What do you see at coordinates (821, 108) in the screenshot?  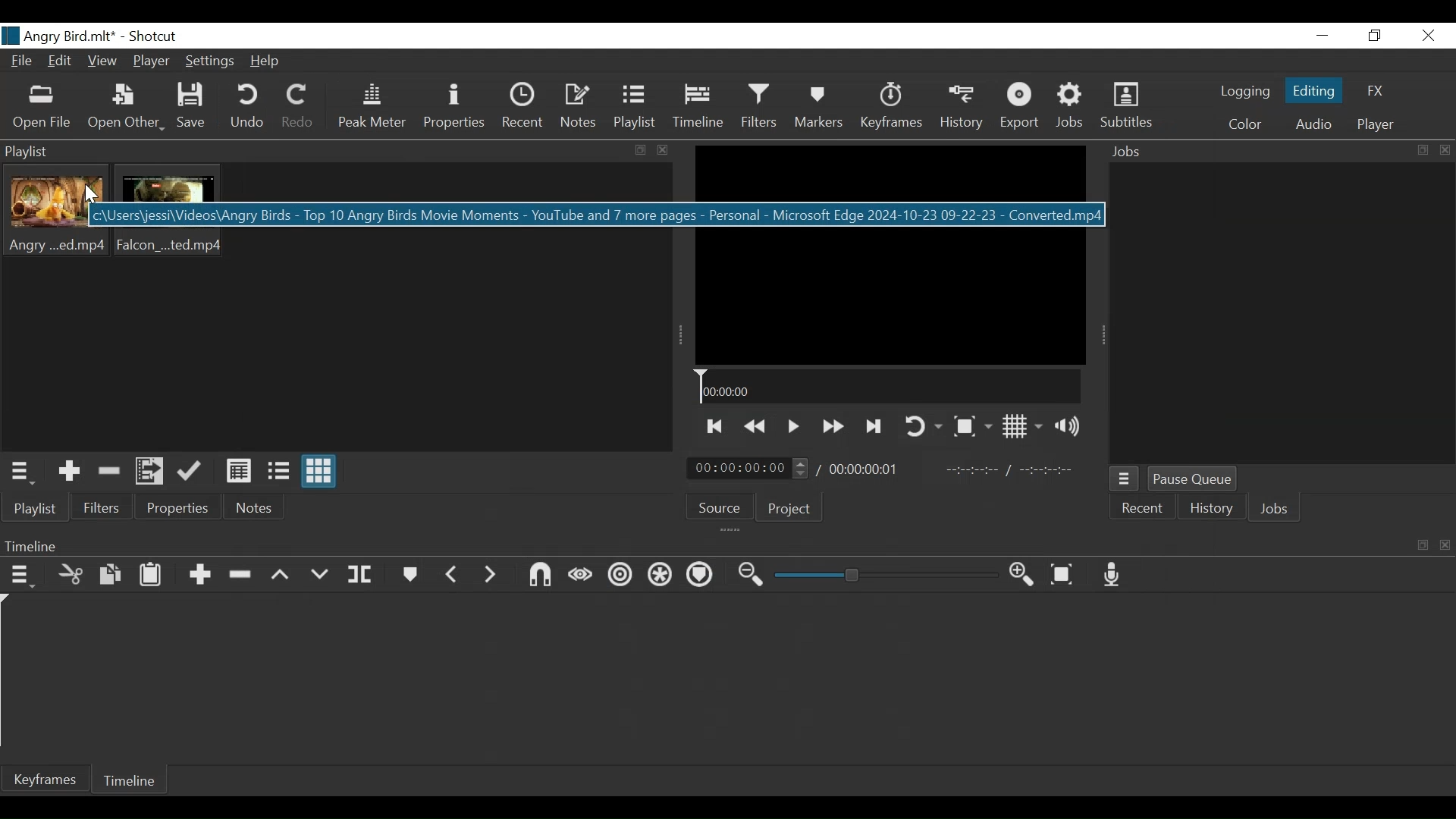 I see `Markers` at bounding box center [821, 108].